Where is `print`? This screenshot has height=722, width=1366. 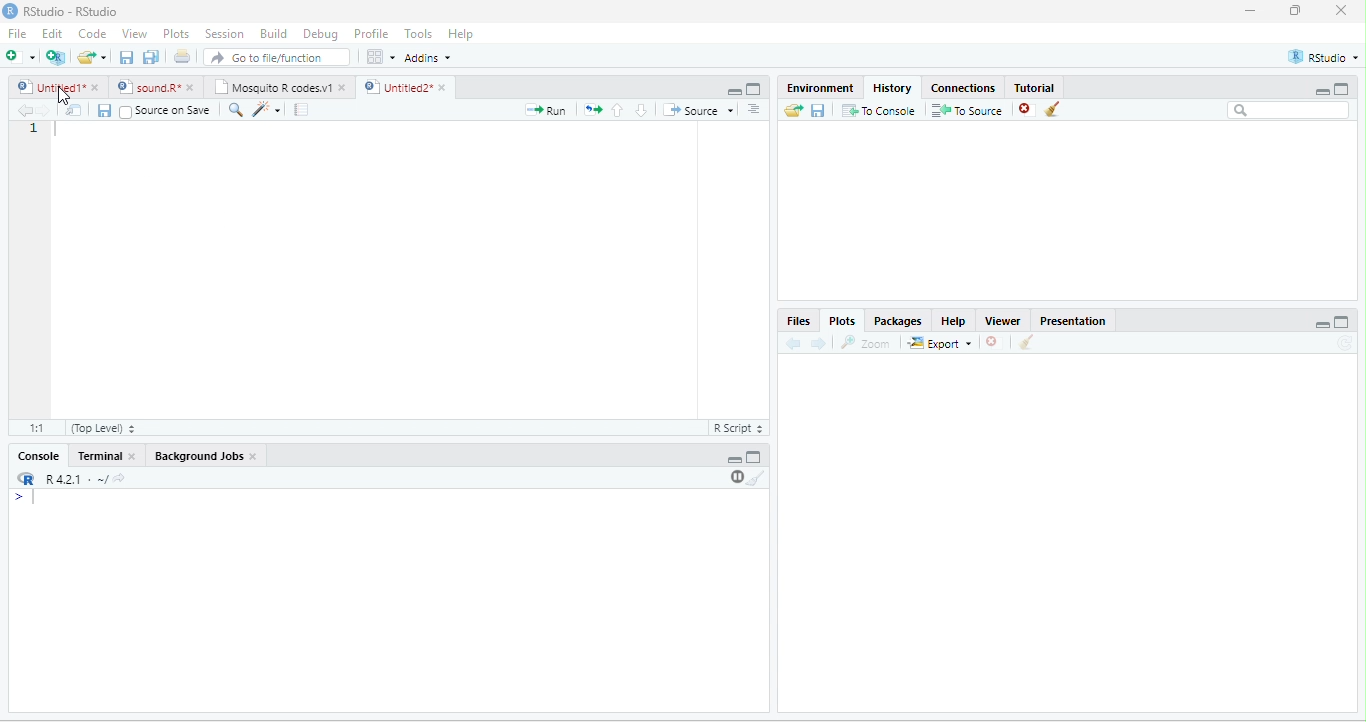 print is located at coordinates (181, 56).